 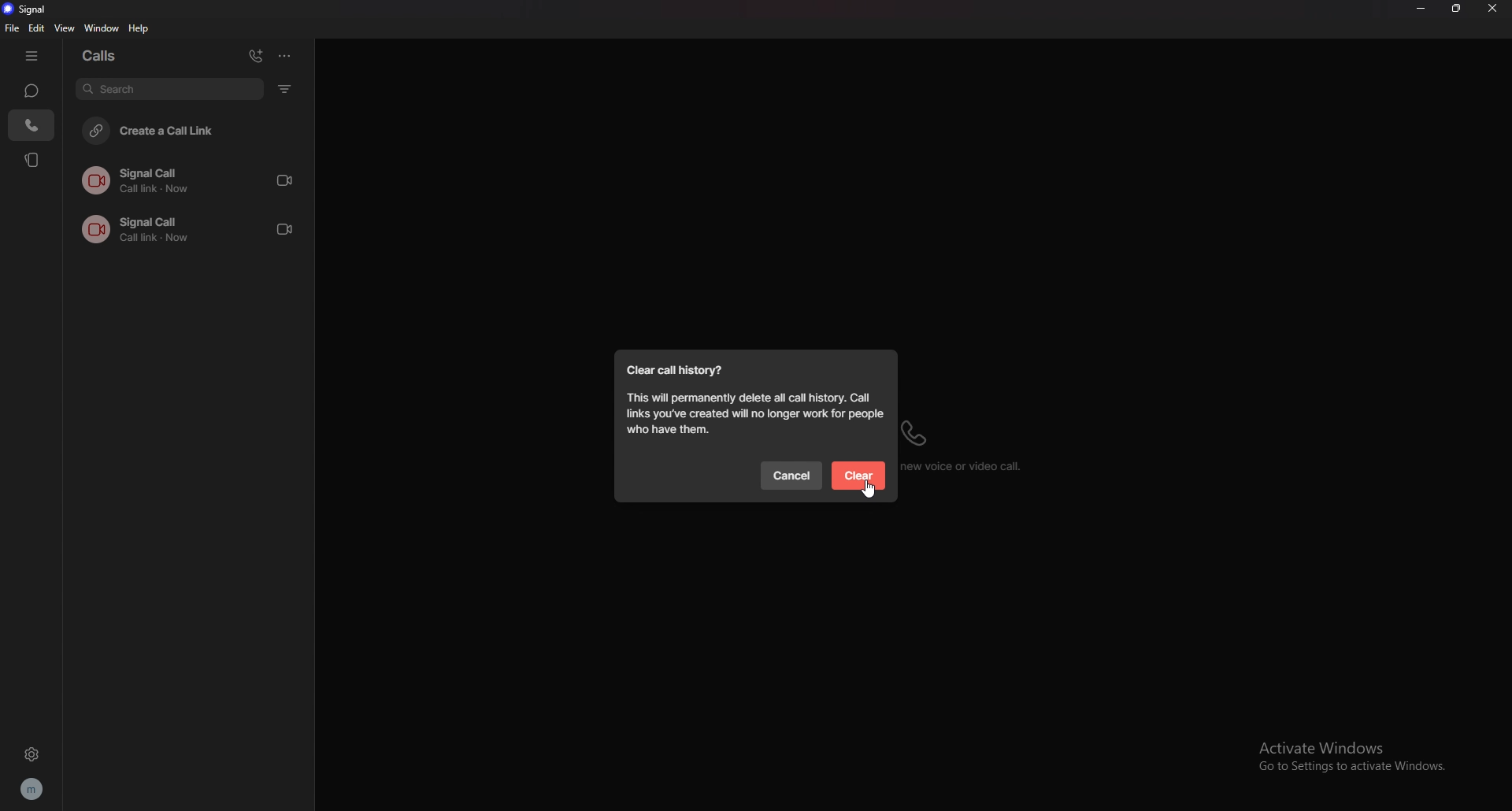 What do you see at coordinates (34, 160) in the screenshot?
I see `stories` at bounding box center [34, 160].